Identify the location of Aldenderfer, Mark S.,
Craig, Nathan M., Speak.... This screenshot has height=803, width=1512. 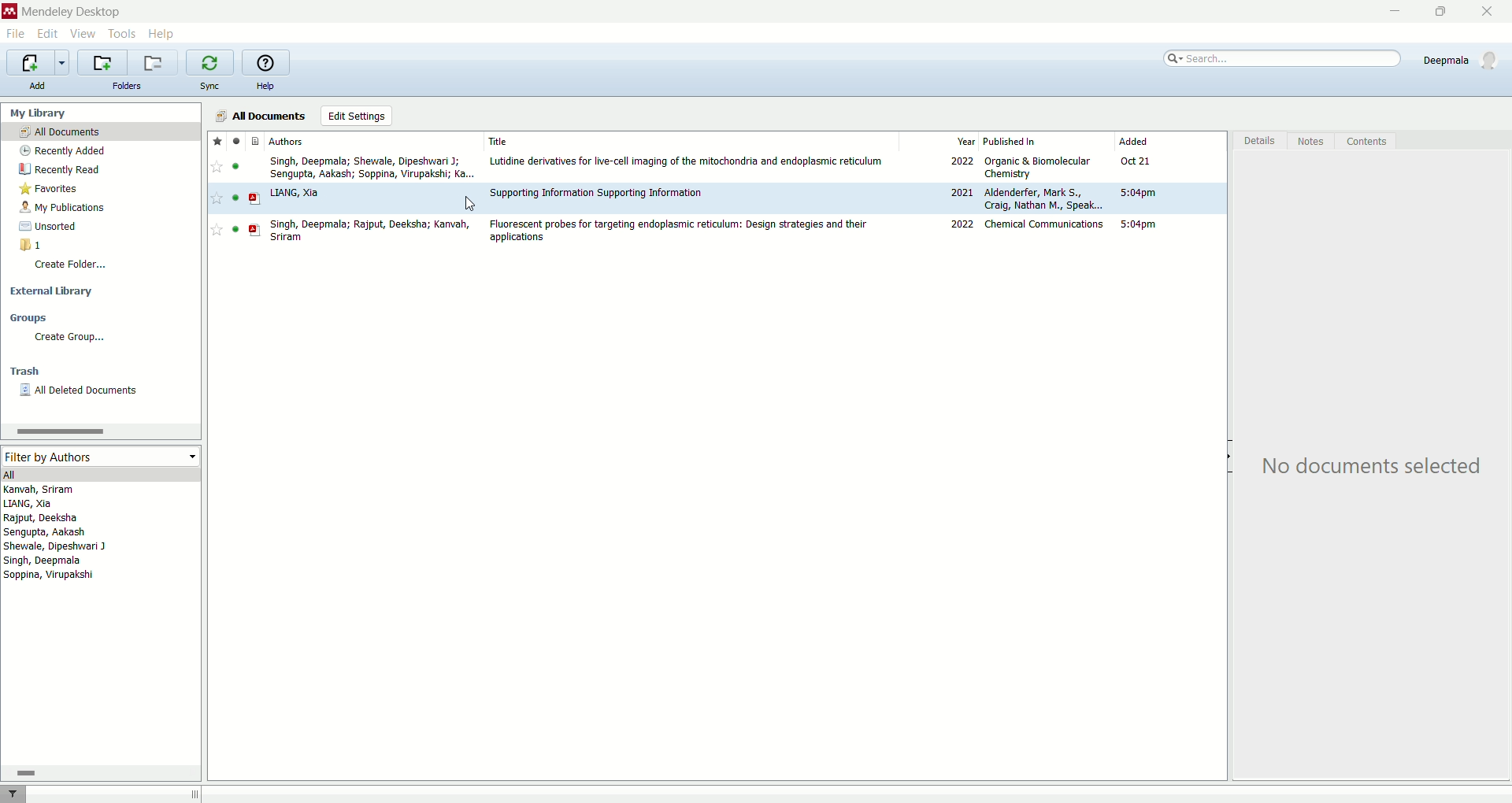
(1044, 198).